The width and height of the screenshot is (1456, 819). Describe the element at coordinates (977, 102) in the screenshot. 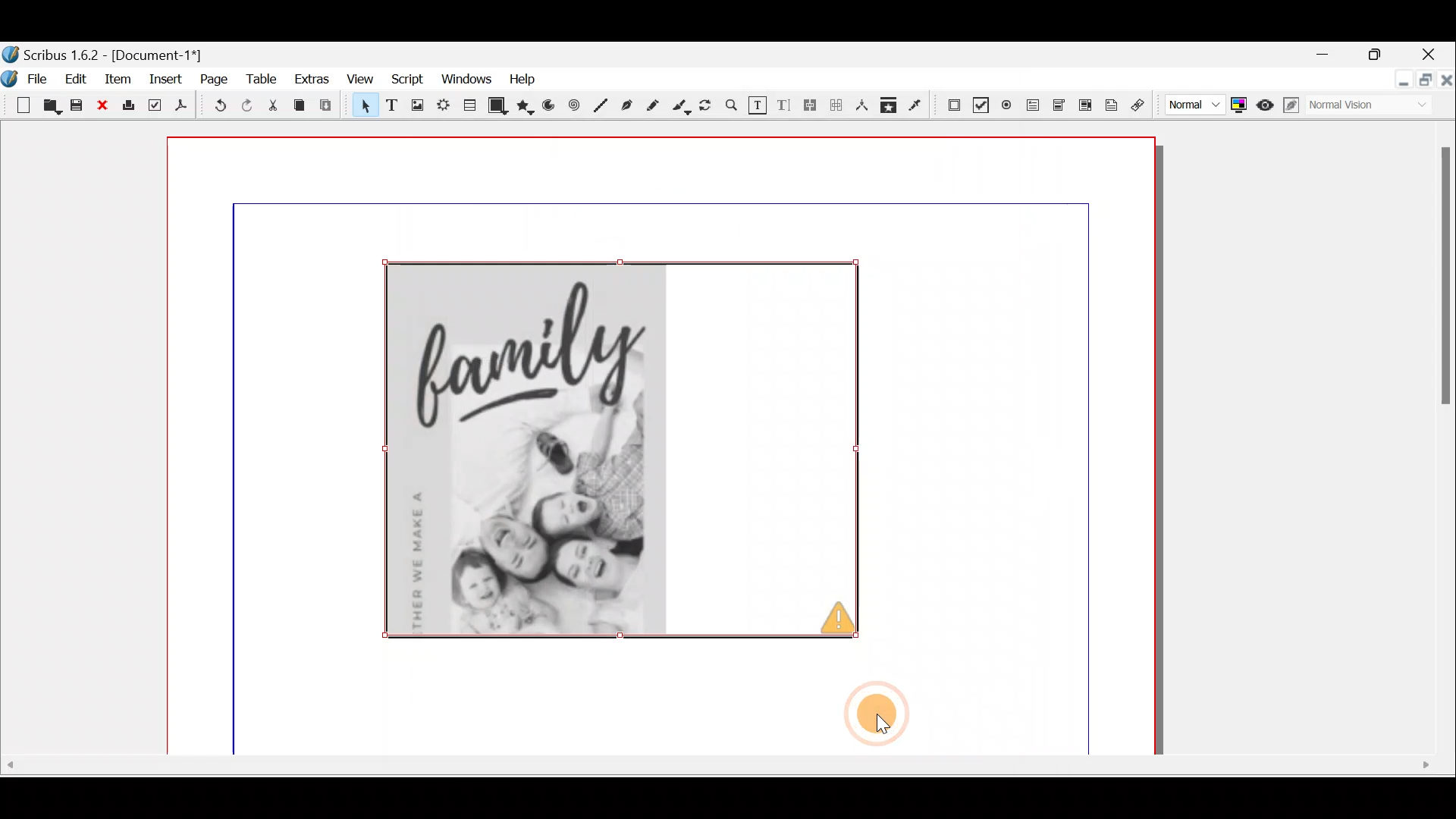

I see `PDF check box` at that location.